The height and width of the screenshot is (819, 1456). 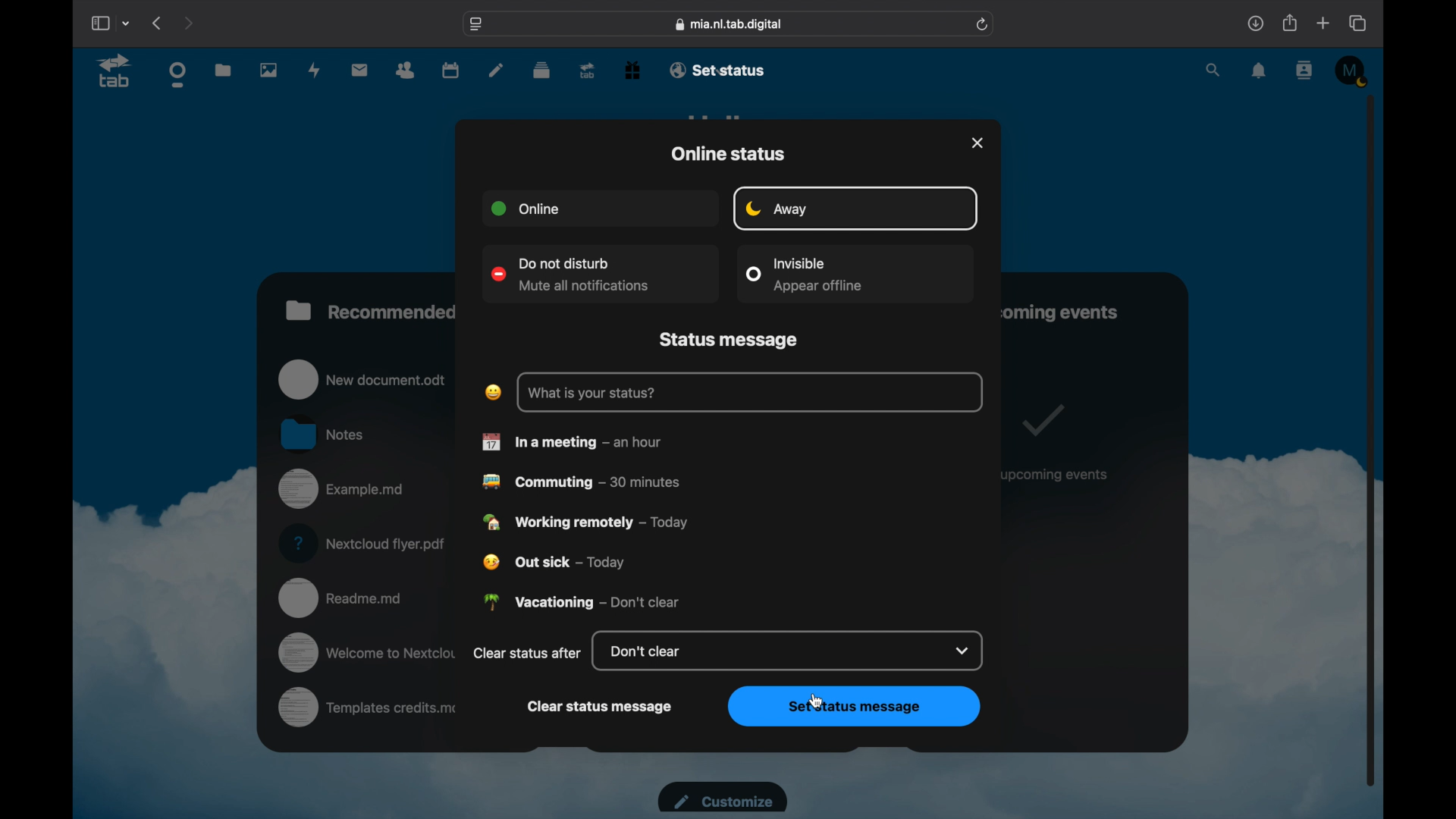 What do you see at coordinates (99, 23) in the screenshot?
I see `show sidebar` at bounding box center [99, 23].